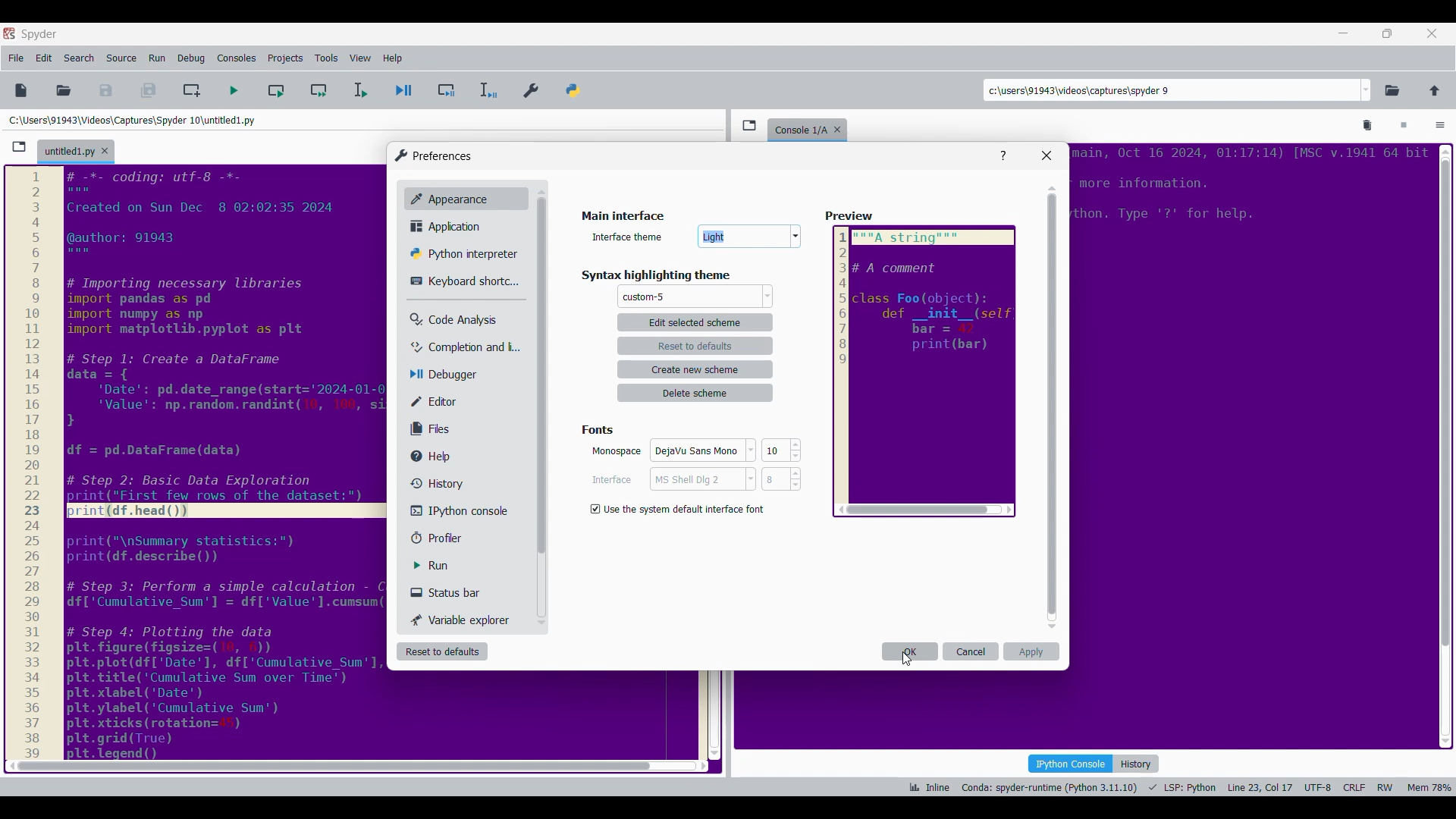 The width and height of the screenshot is (1456, 819). What do you see at coordinates (105, 151) in the screenshot?
I see `Close tab` at bounding box center [105, 151].